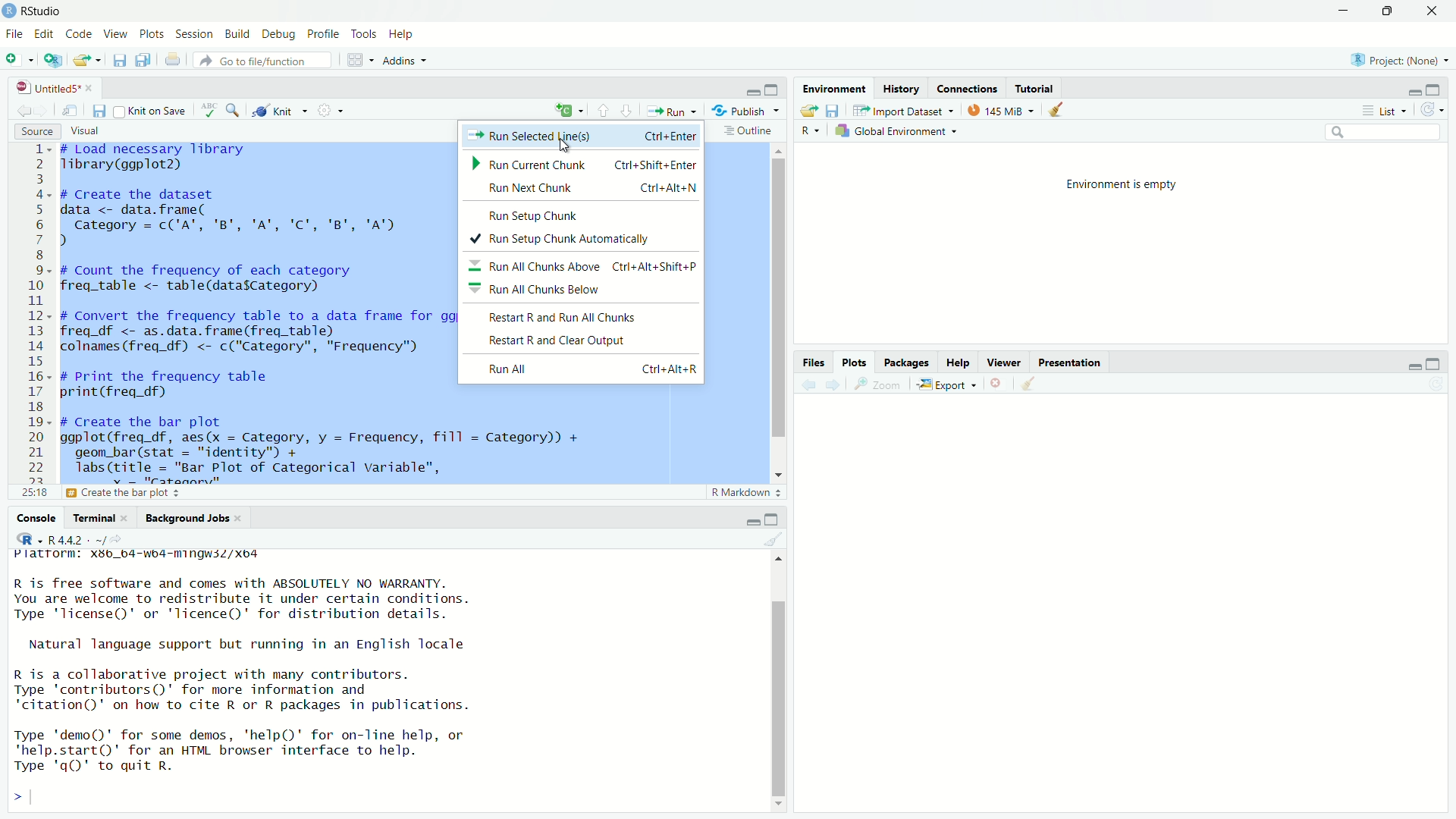 This screenshot has width=1456, height=819. I want to click on spelling check, so click(210, 111).